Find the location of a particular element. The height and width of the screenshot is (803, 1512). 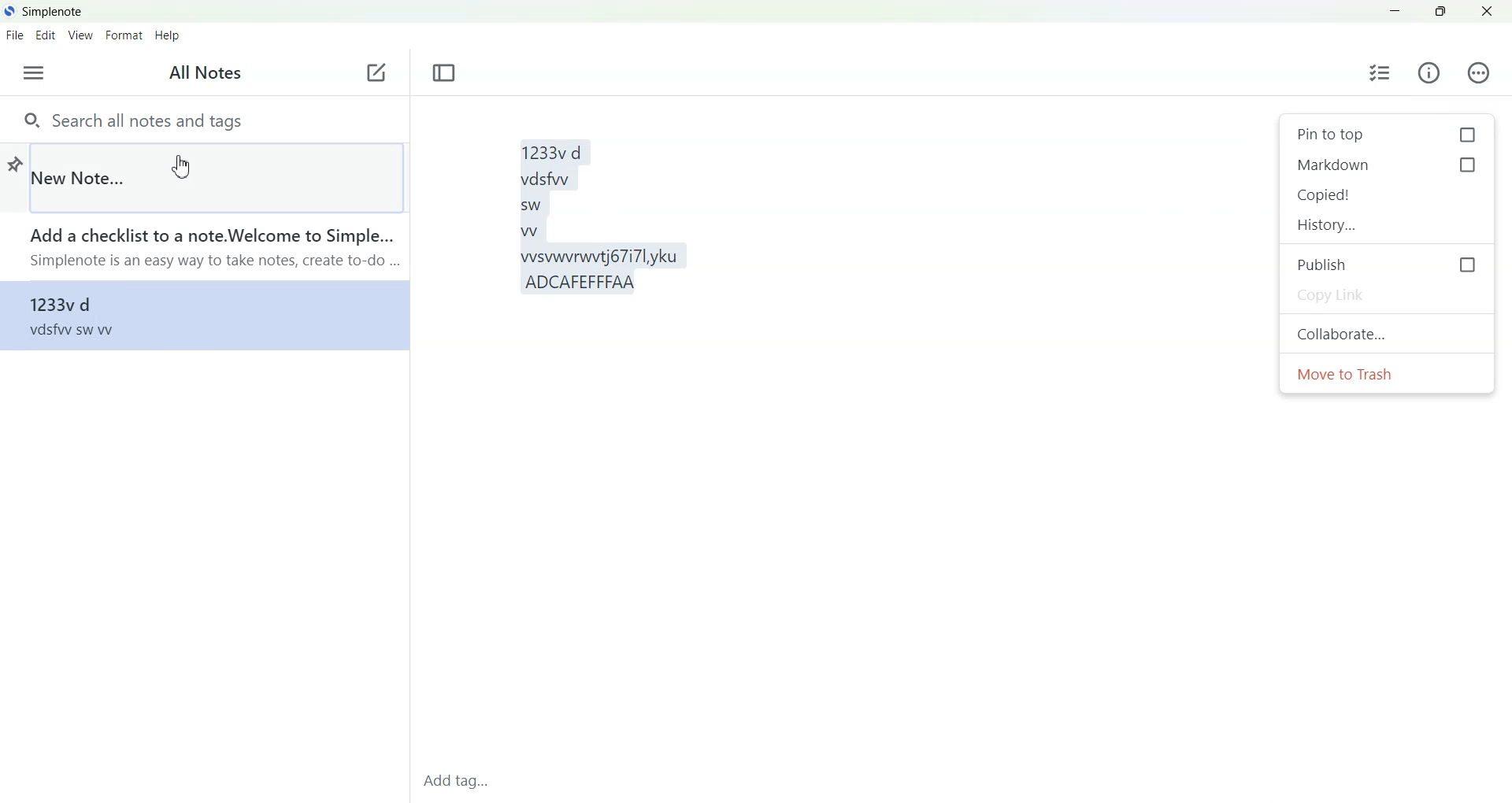

File is located at coordinates (14, 35).